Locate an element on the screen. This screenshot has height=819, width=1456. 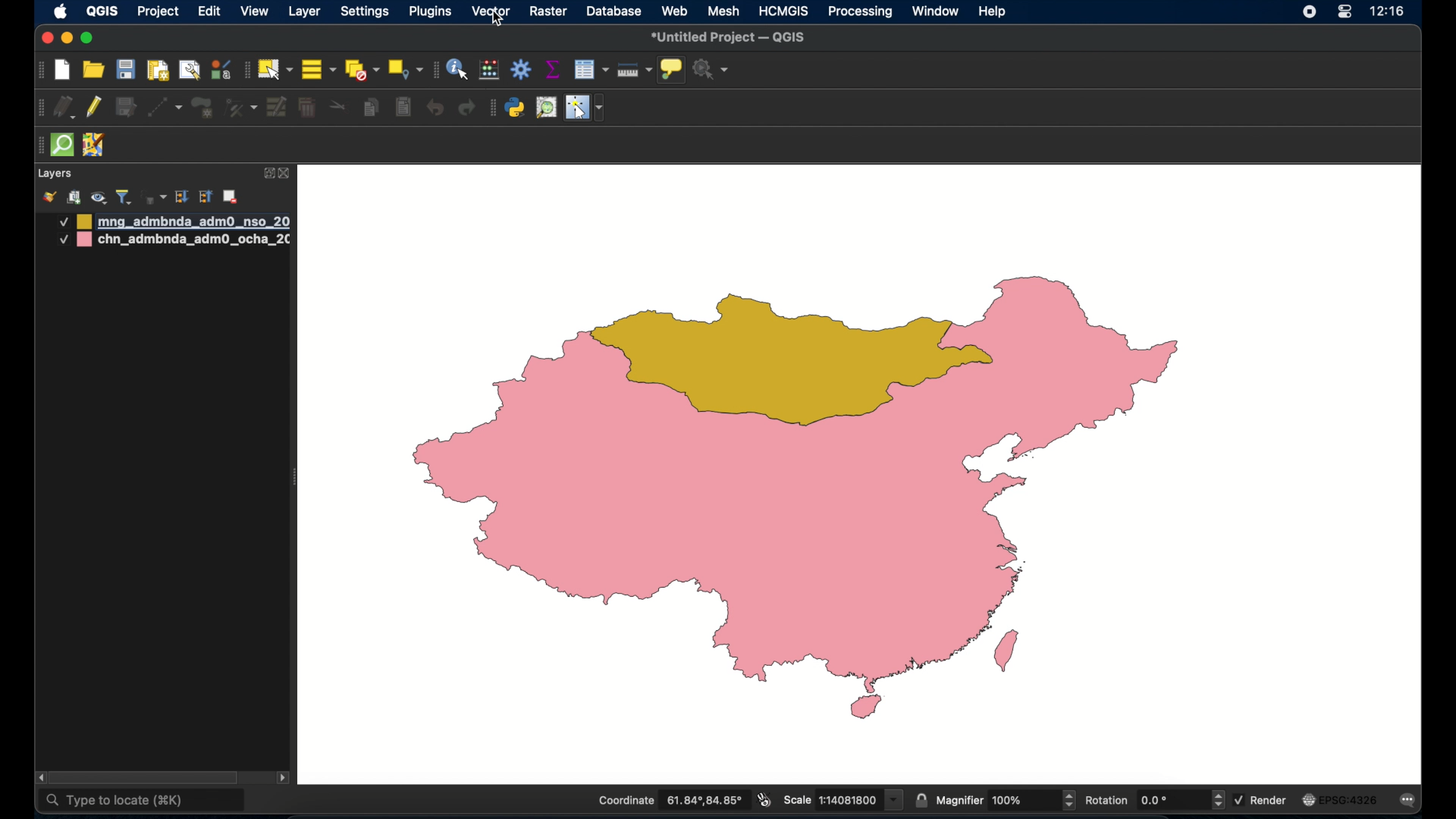
close is located at coordinates (286, 174).